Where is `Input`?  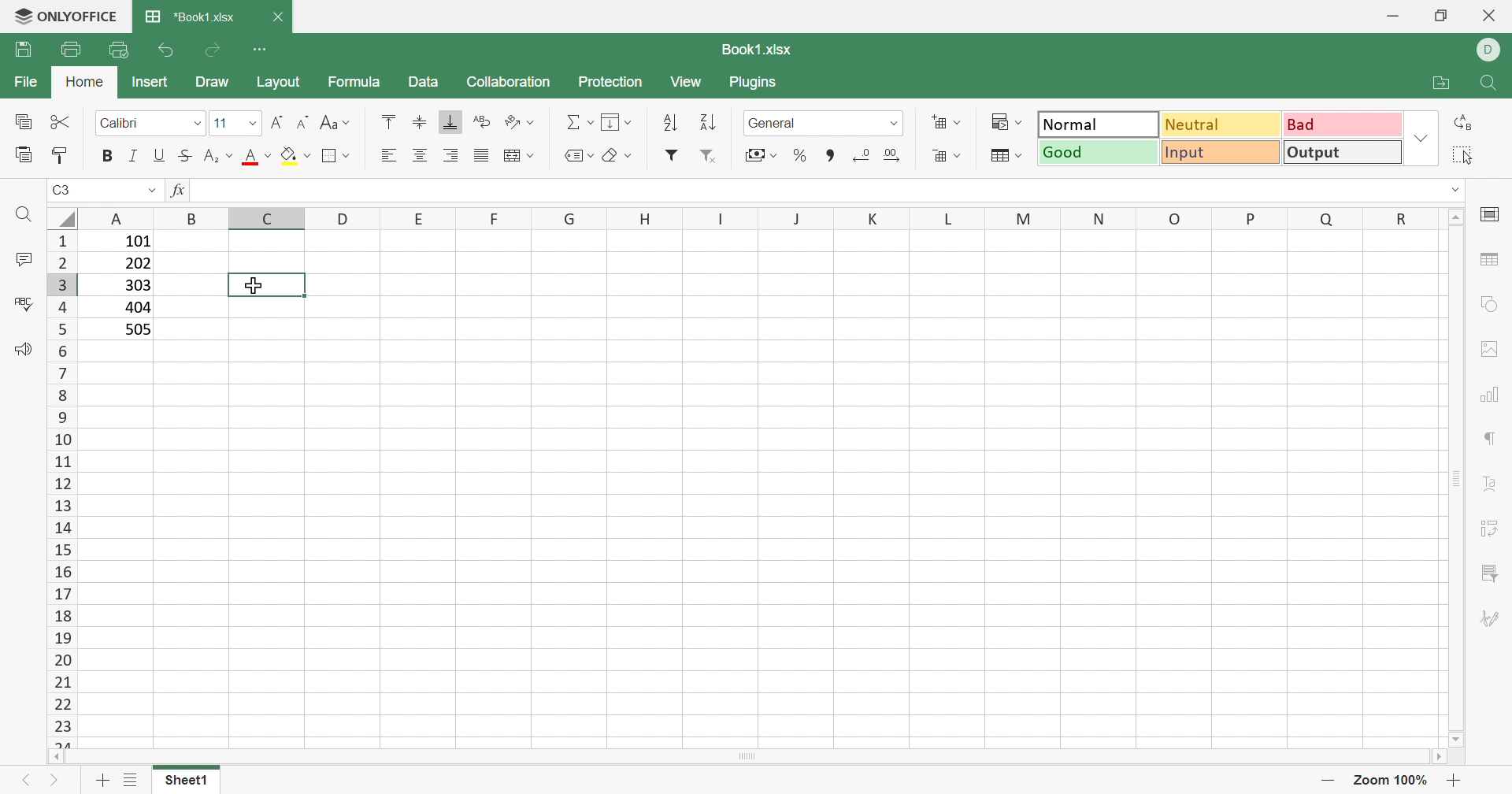
Input is located at coordinates (1220, 153).